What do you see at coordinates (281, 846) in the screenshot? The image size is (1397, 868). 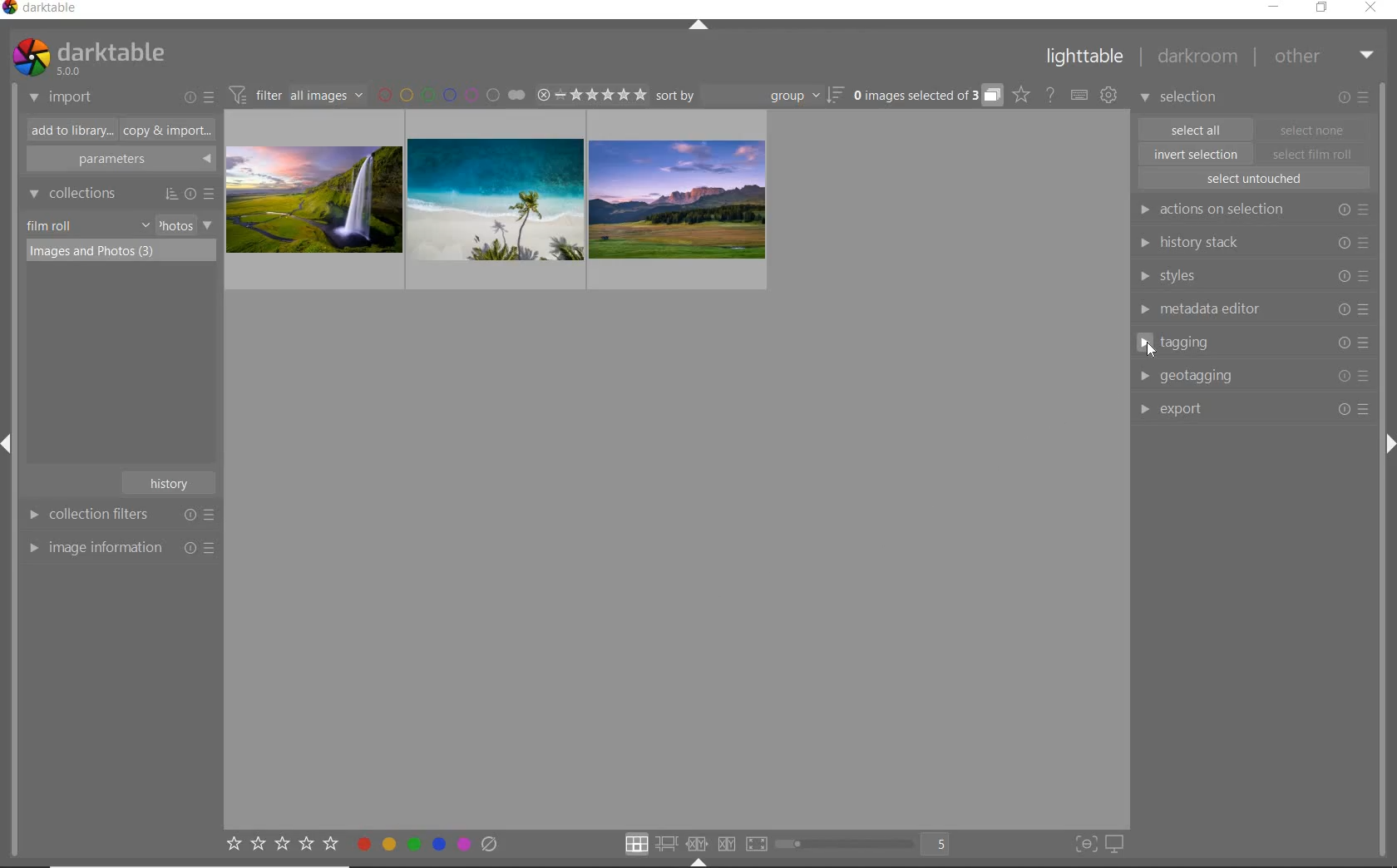 I see `set star rating for selected images` at bounding box center [281, 846].